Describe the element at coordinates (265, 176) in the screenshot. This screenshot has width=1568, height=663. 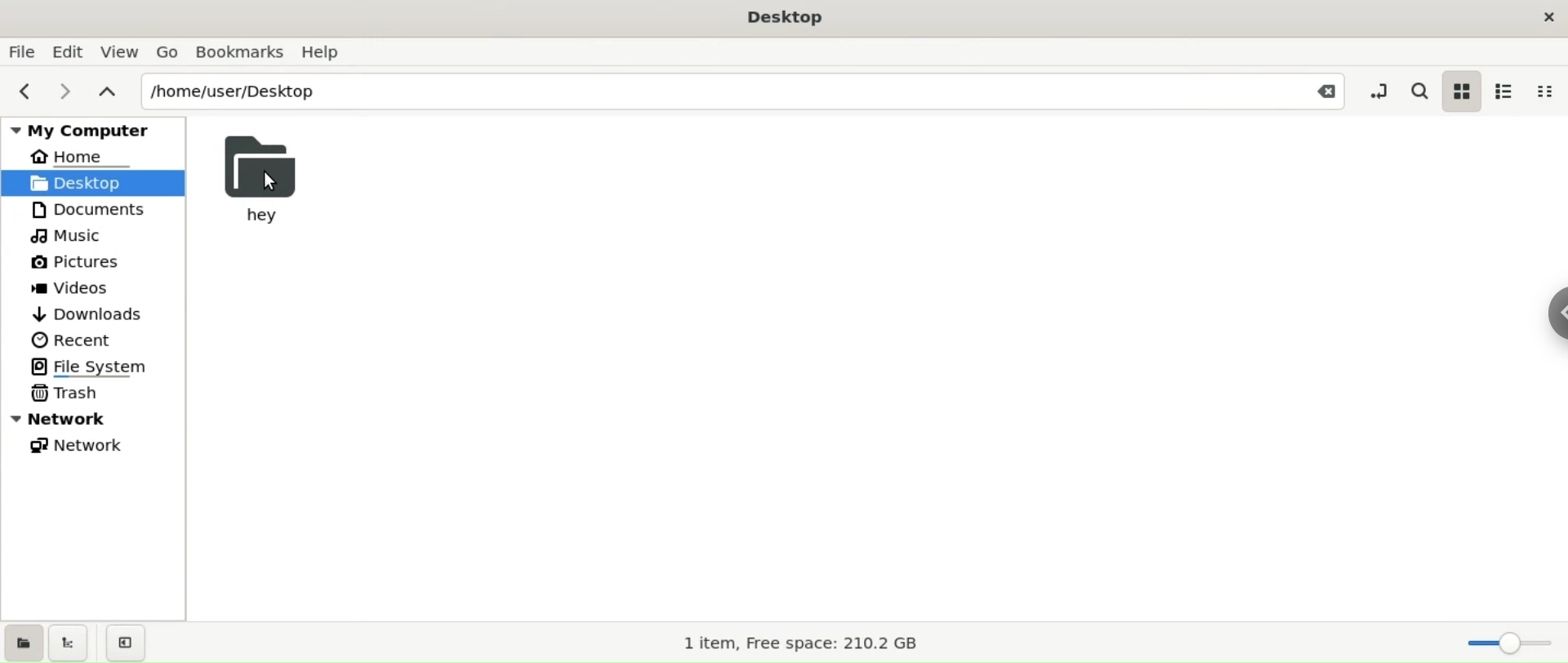
I see `hey` at that location.